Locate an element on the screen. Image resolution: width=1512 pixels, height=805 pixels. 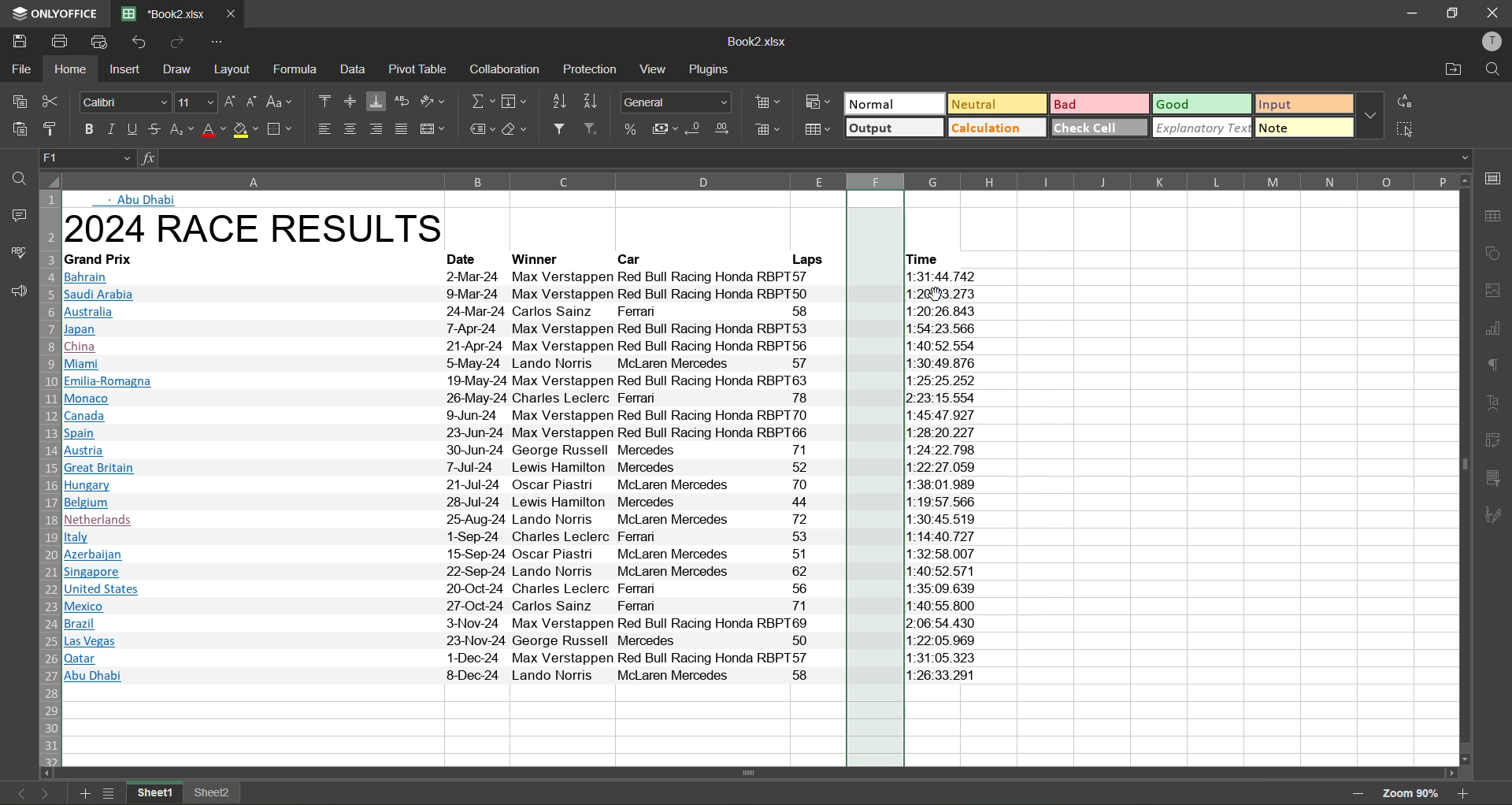
neutral is located at coordinates (996, 106).